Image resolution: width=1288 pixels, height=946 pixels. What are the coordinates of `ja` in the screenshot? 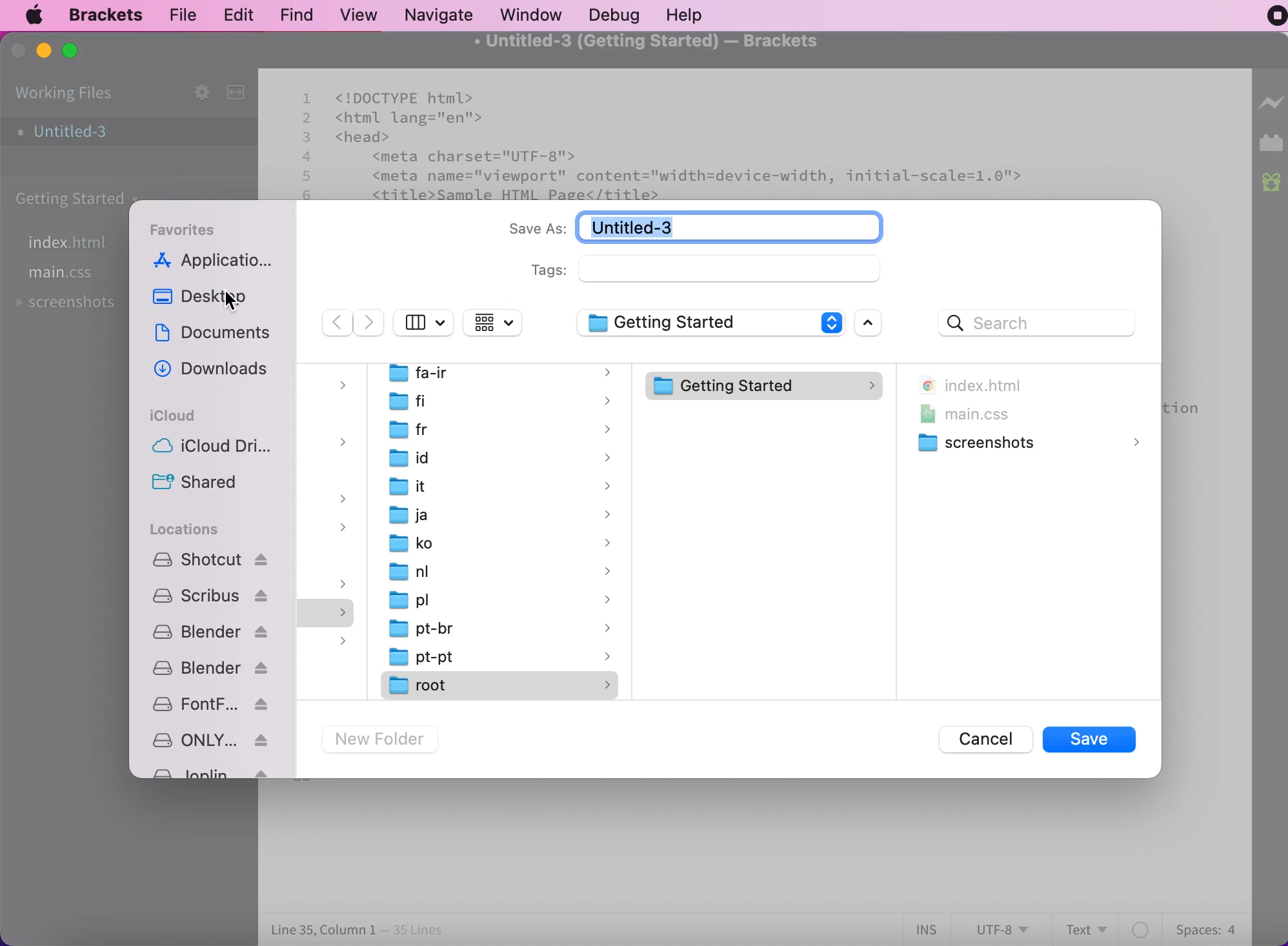 It's located at (501, 514).